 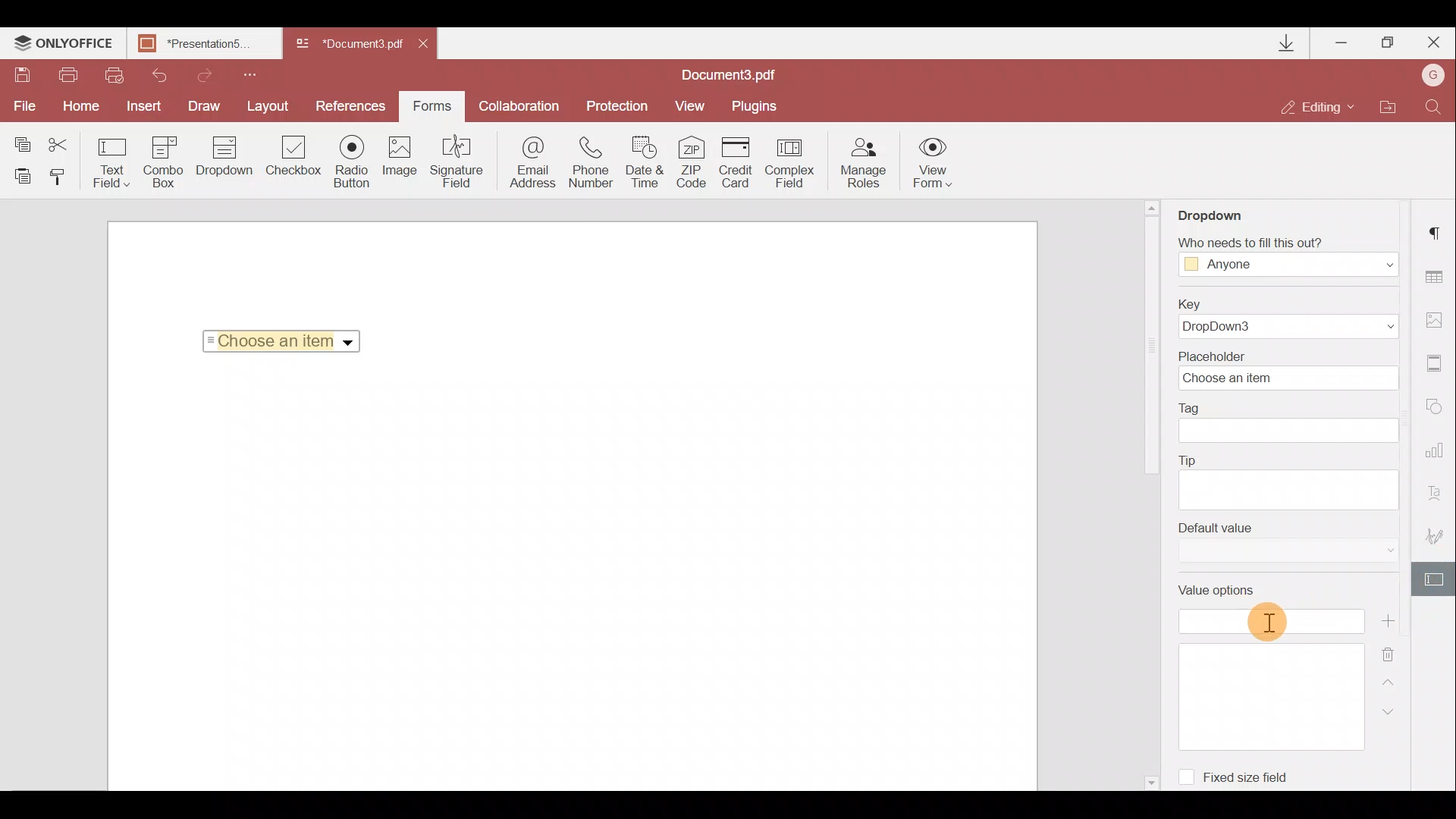 I want to click on Add, so click(x=1387, y=620).